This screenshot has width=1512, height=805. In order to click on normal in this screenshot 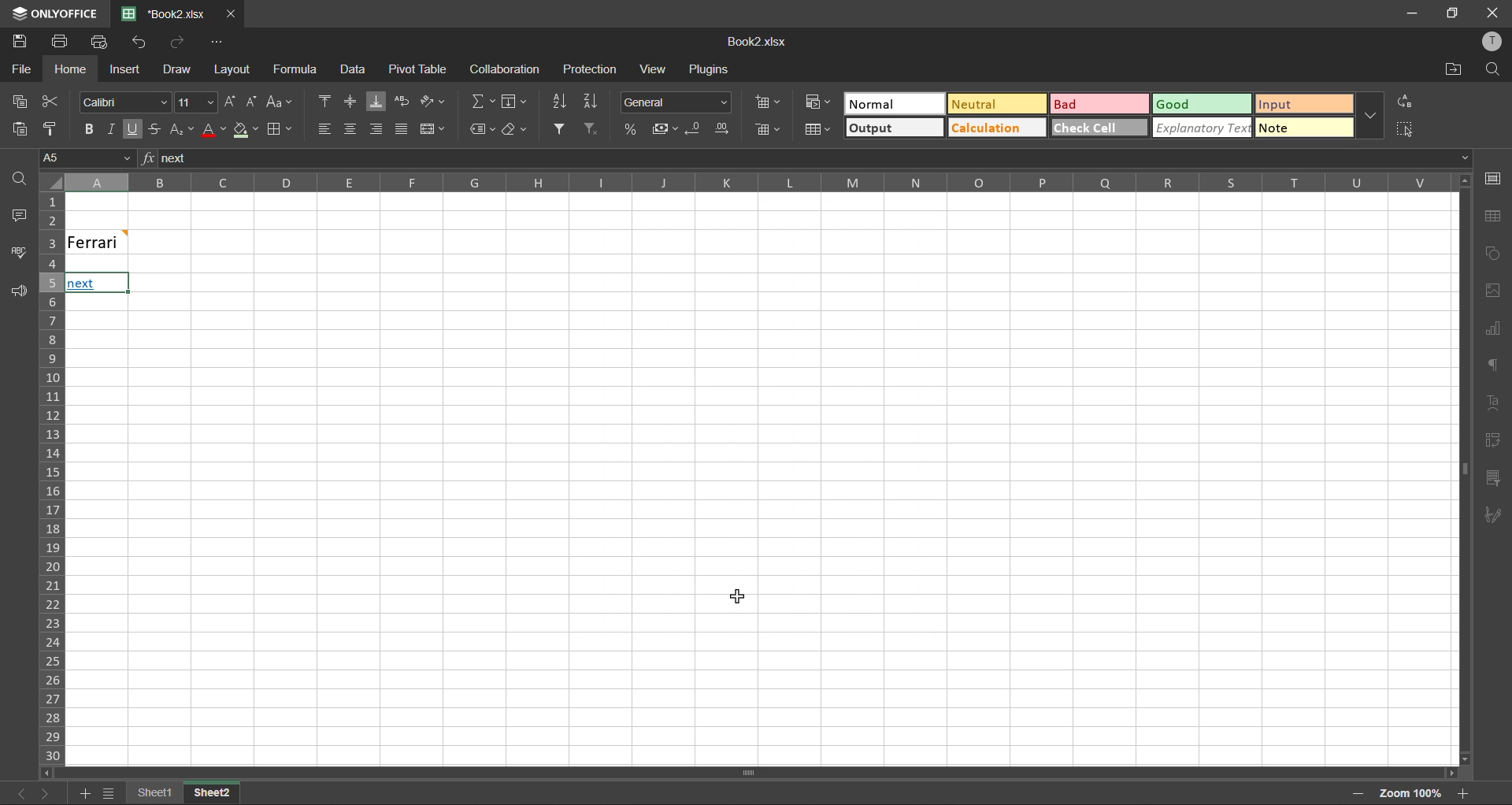, I will do `click(889, 102)`.